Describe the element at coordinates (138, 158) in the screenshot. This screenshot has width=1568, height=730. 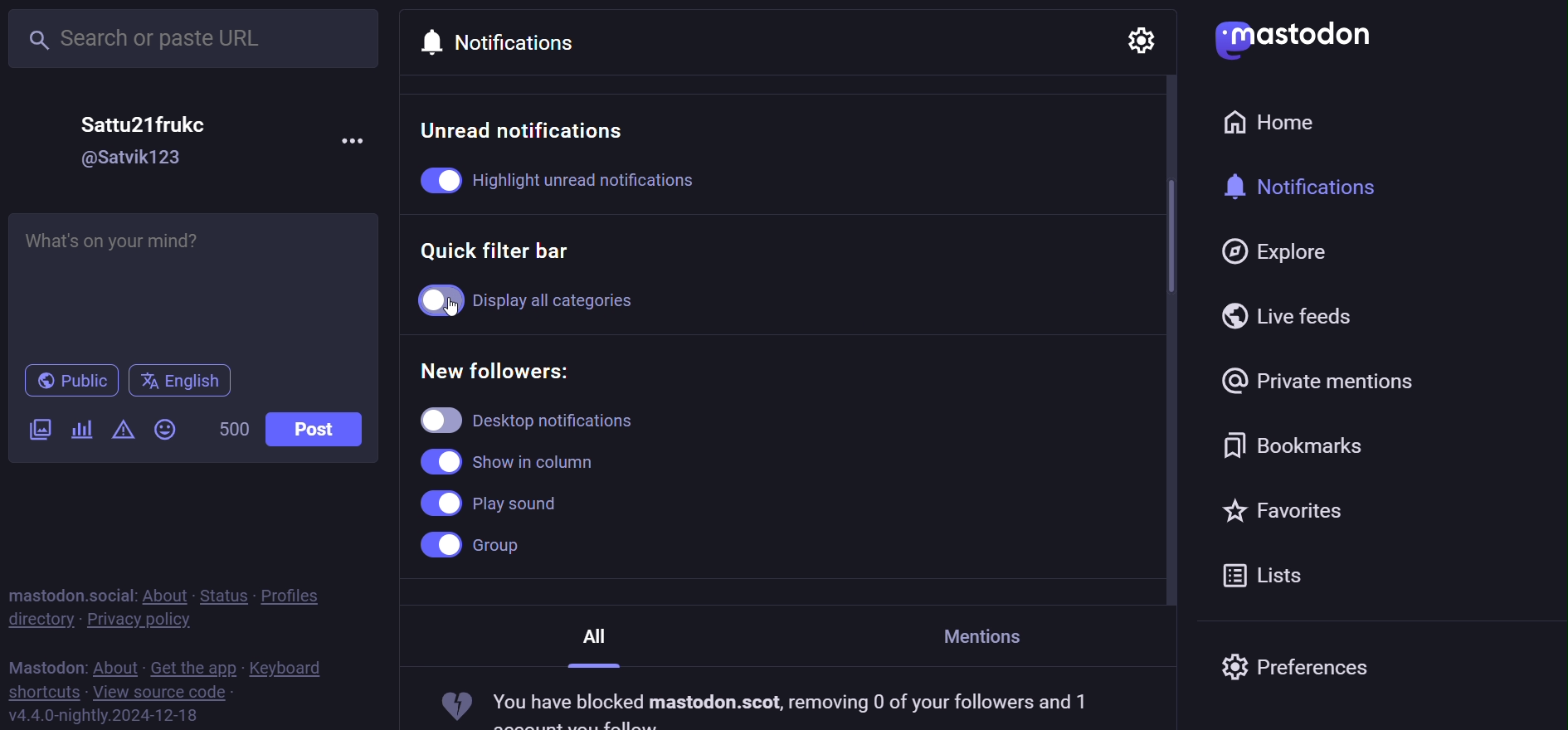
I see `@Satvik123` at that location.